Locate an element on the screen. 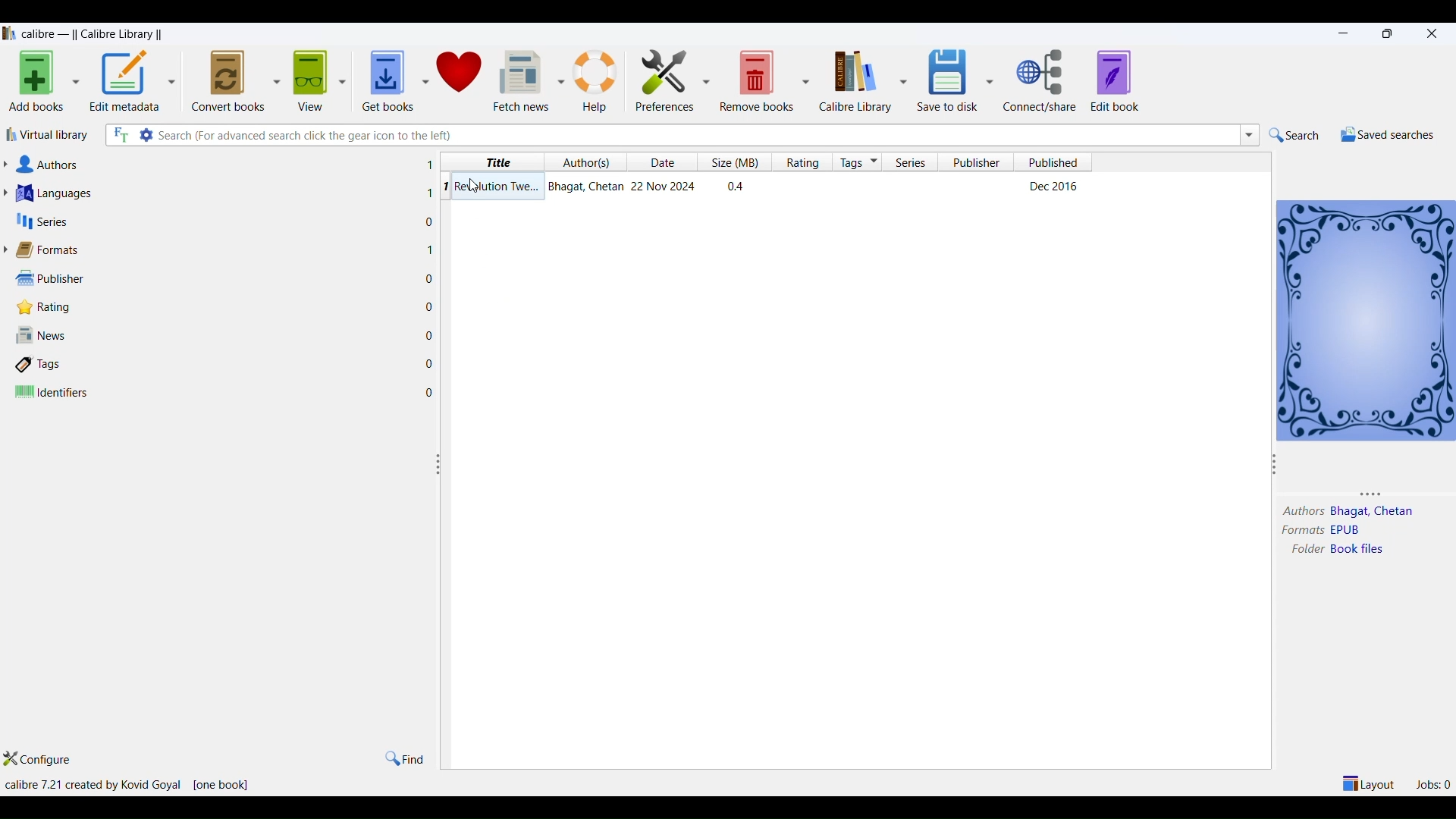 Image resolution: width=1456 pixels, height=819 pixels. rating is located at coordinates (805, 162).